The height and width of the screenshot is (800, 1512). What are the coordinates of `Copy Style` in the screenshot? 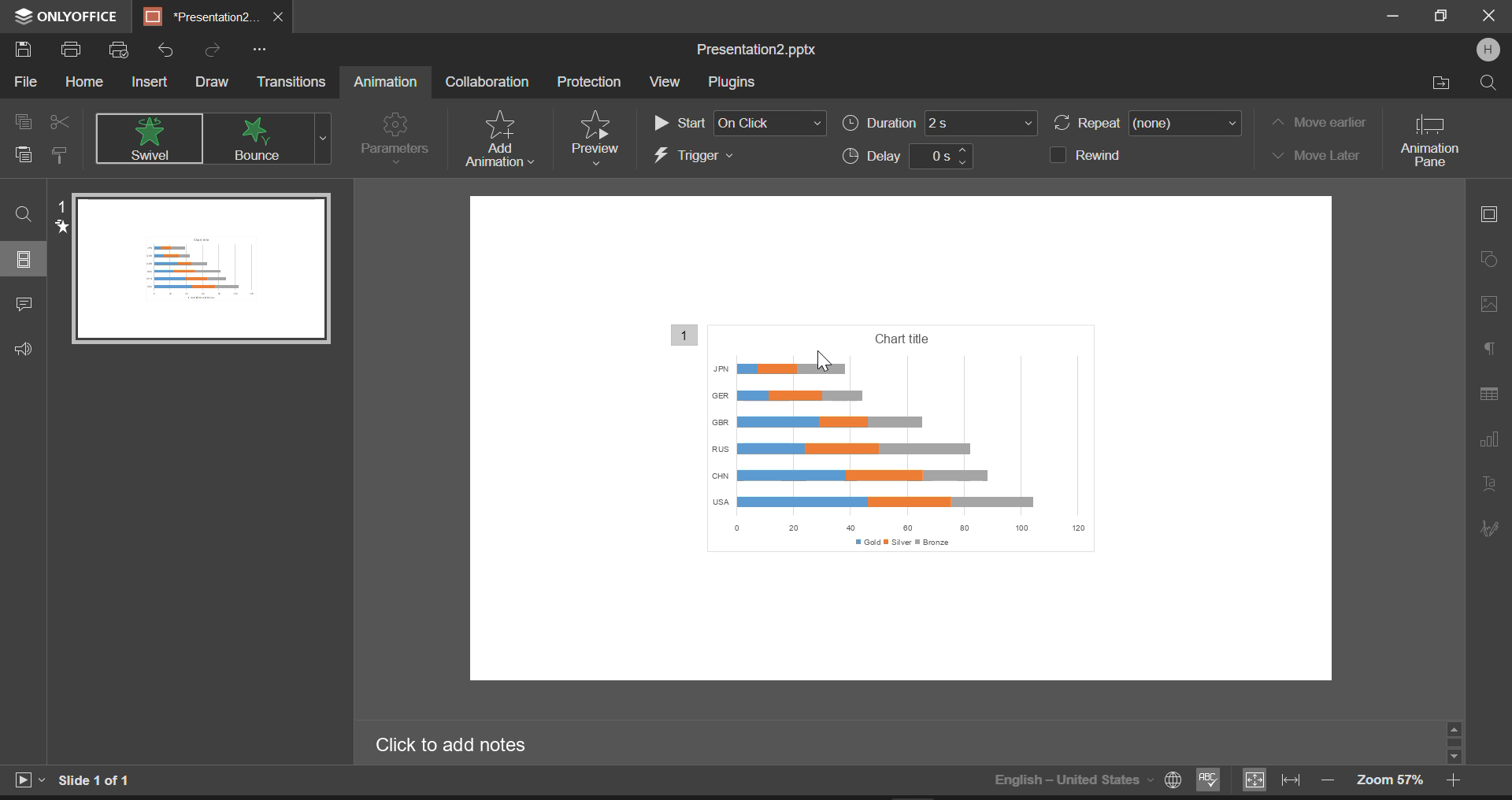 It's located at (61, 157).